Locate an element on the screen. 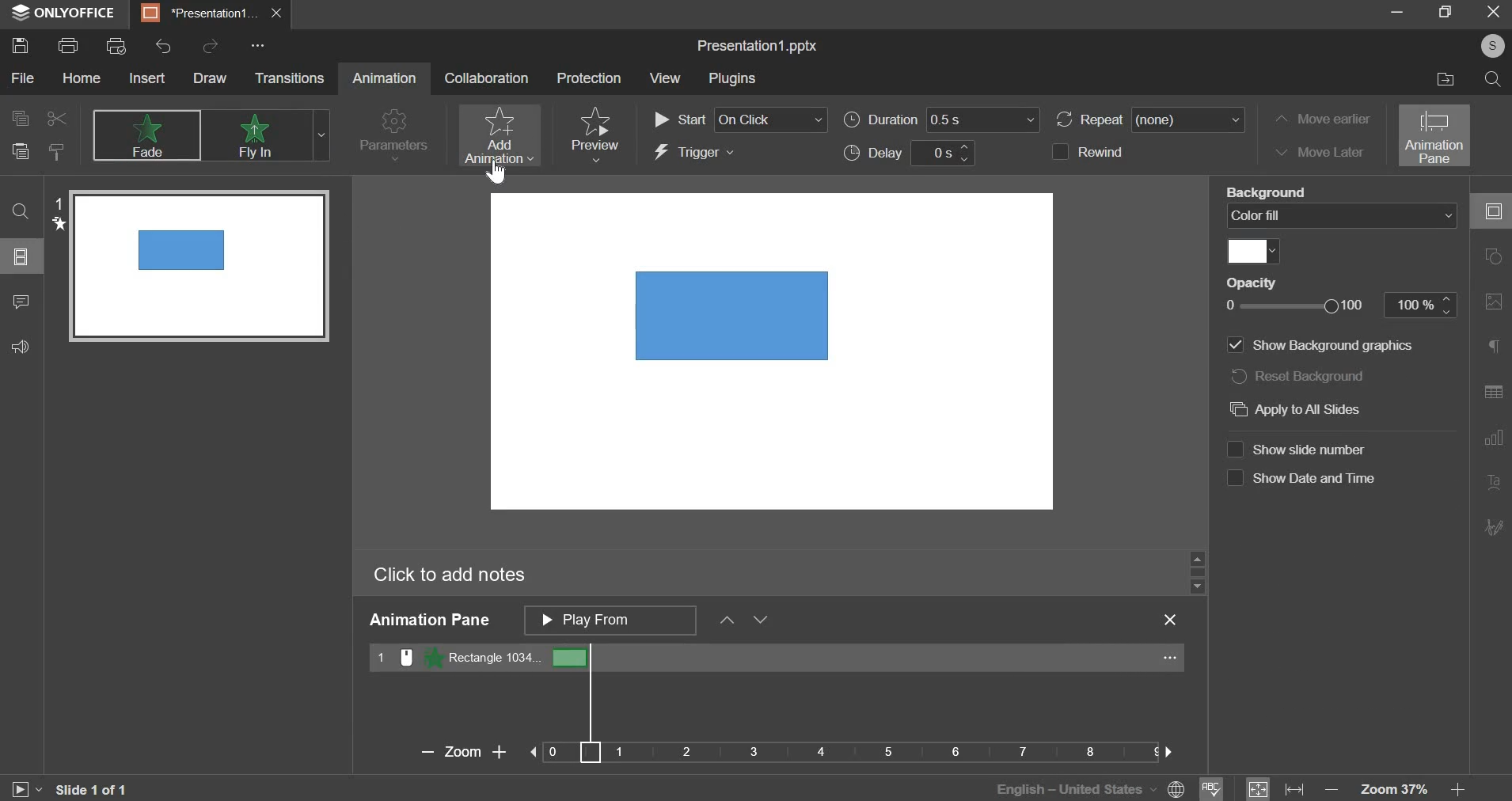 The width and height of the screenshot is (1512, 801). Bar is located at coordinates (846, 754).